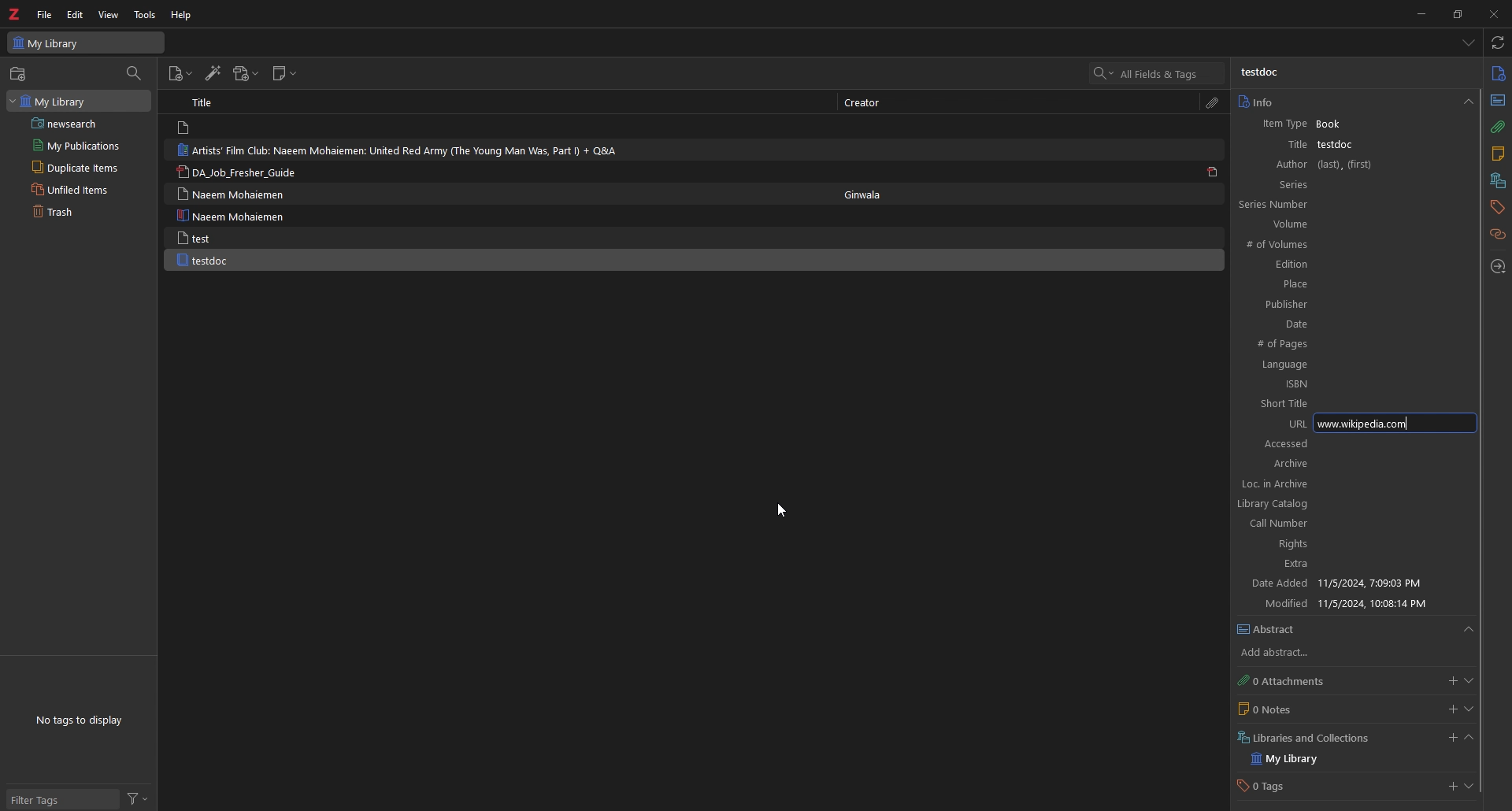 The image size is (1512, 811). Describe the element at coordinates (76, 146) in the screenshot. I see `my publications` at that location.